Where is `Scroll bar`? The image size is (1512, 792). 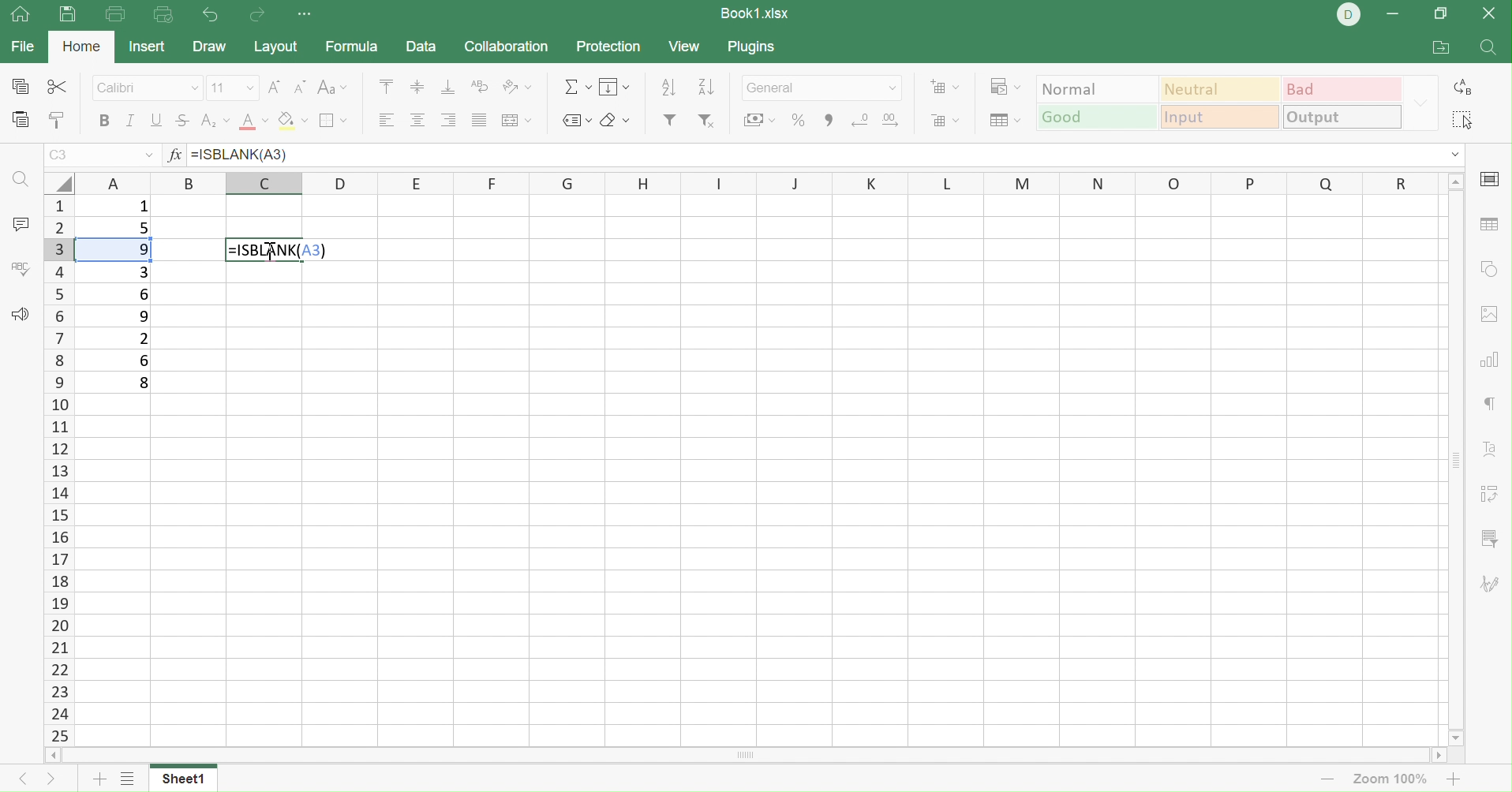
Scroll bar is located at coordinates (1456, 458).